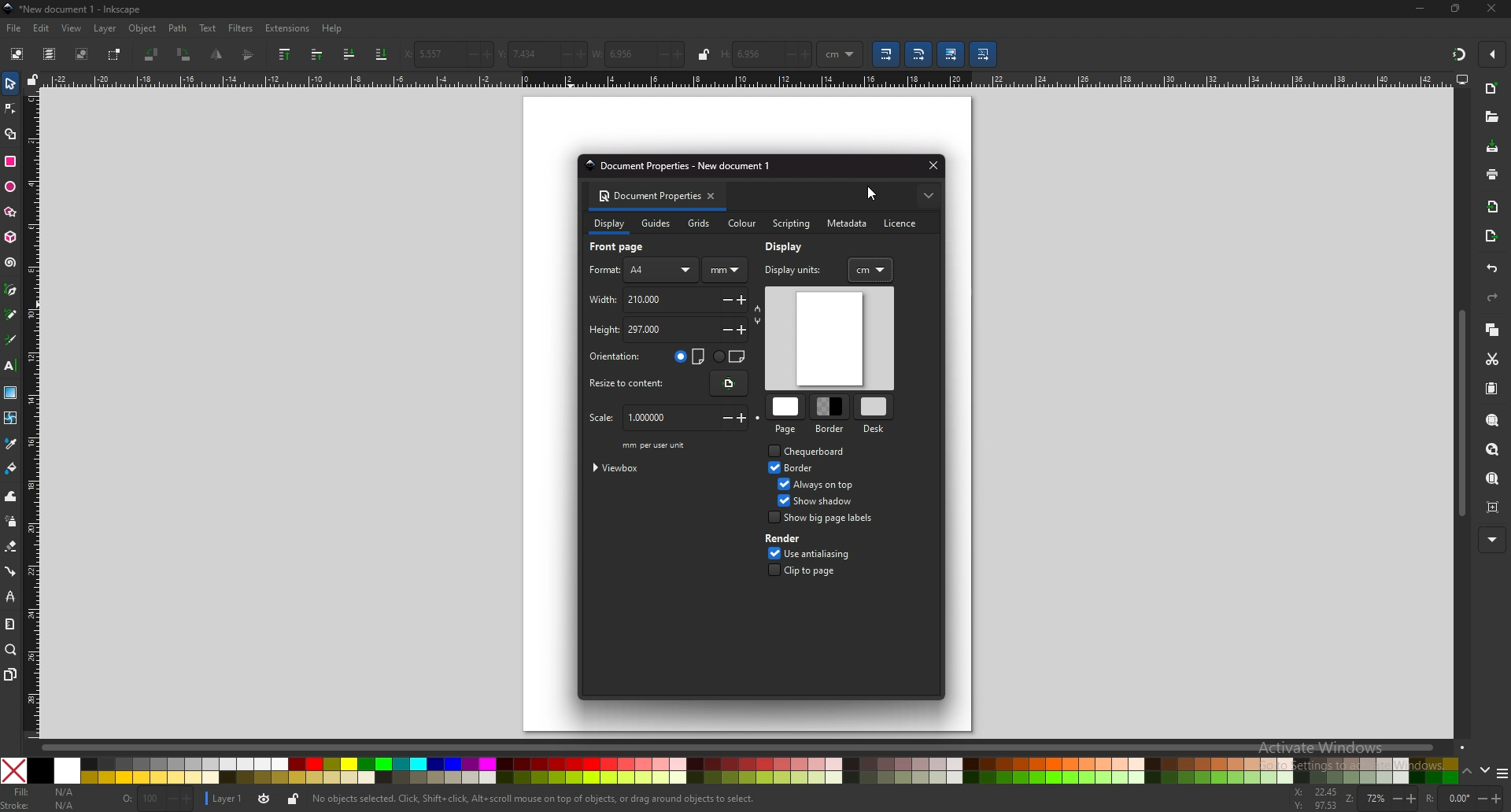 This screenshot has width=1511, height=812. Describe the element at coordinates (829, 500) in the screenshot. I see `show shadow` at that location.